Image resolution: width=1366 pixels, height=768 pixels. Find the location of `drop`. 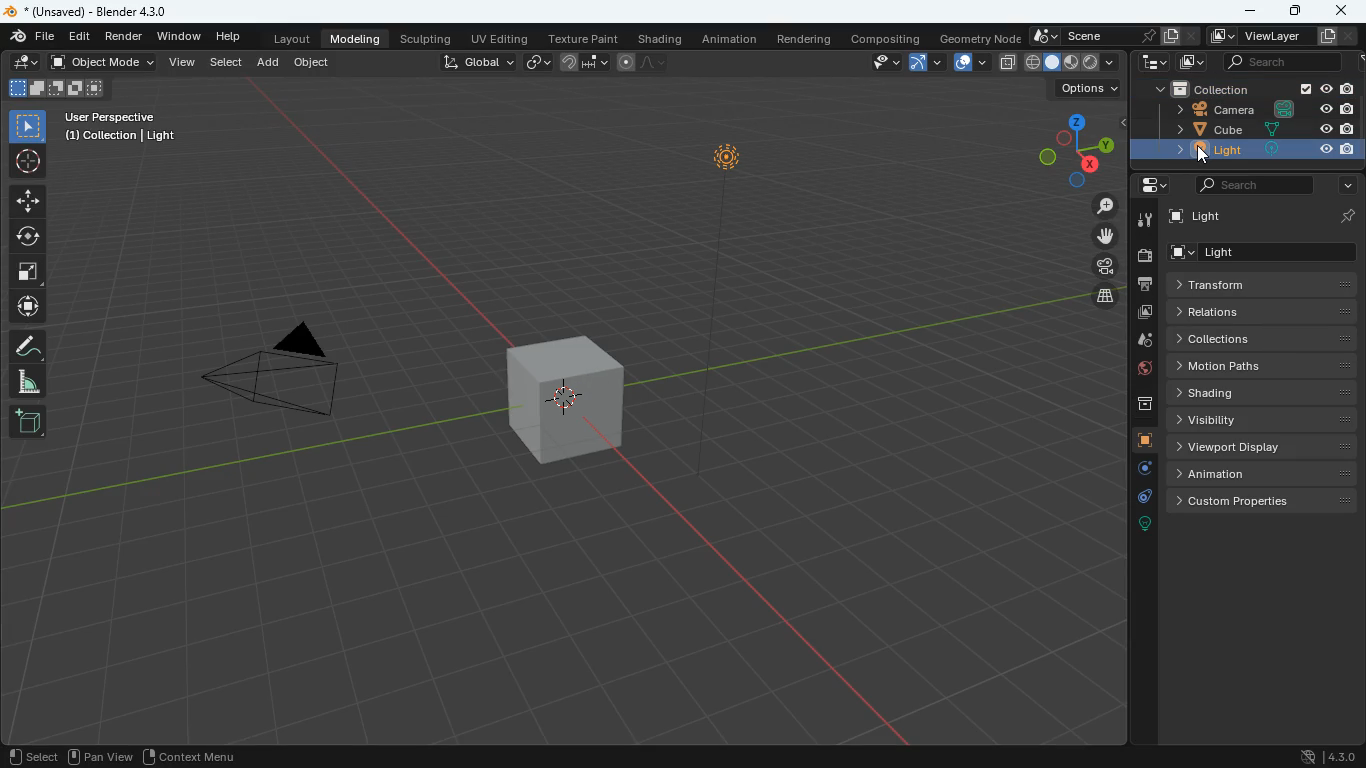

drop is located at coordinates (1145, 340).